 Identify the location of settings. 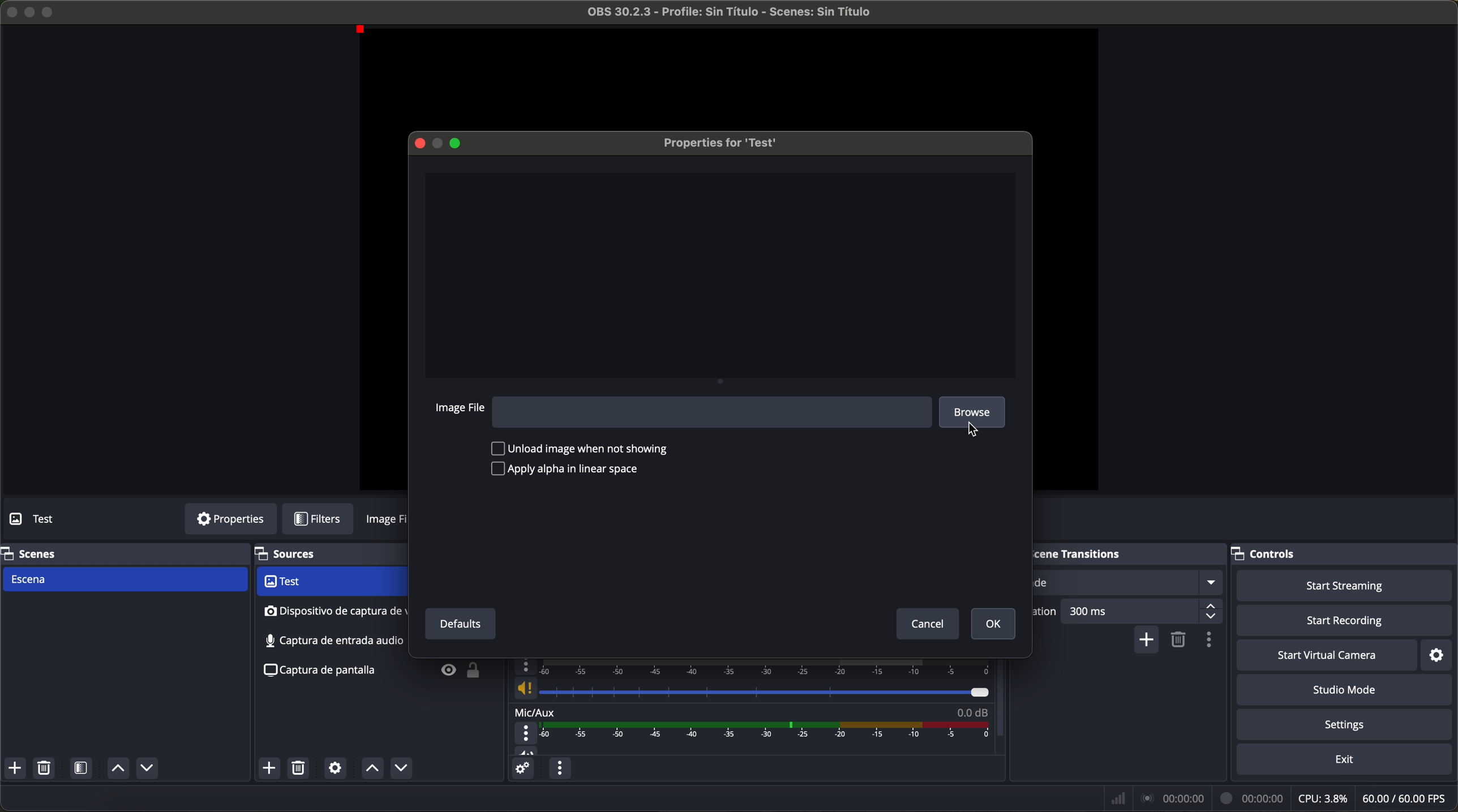
(1442, 654).